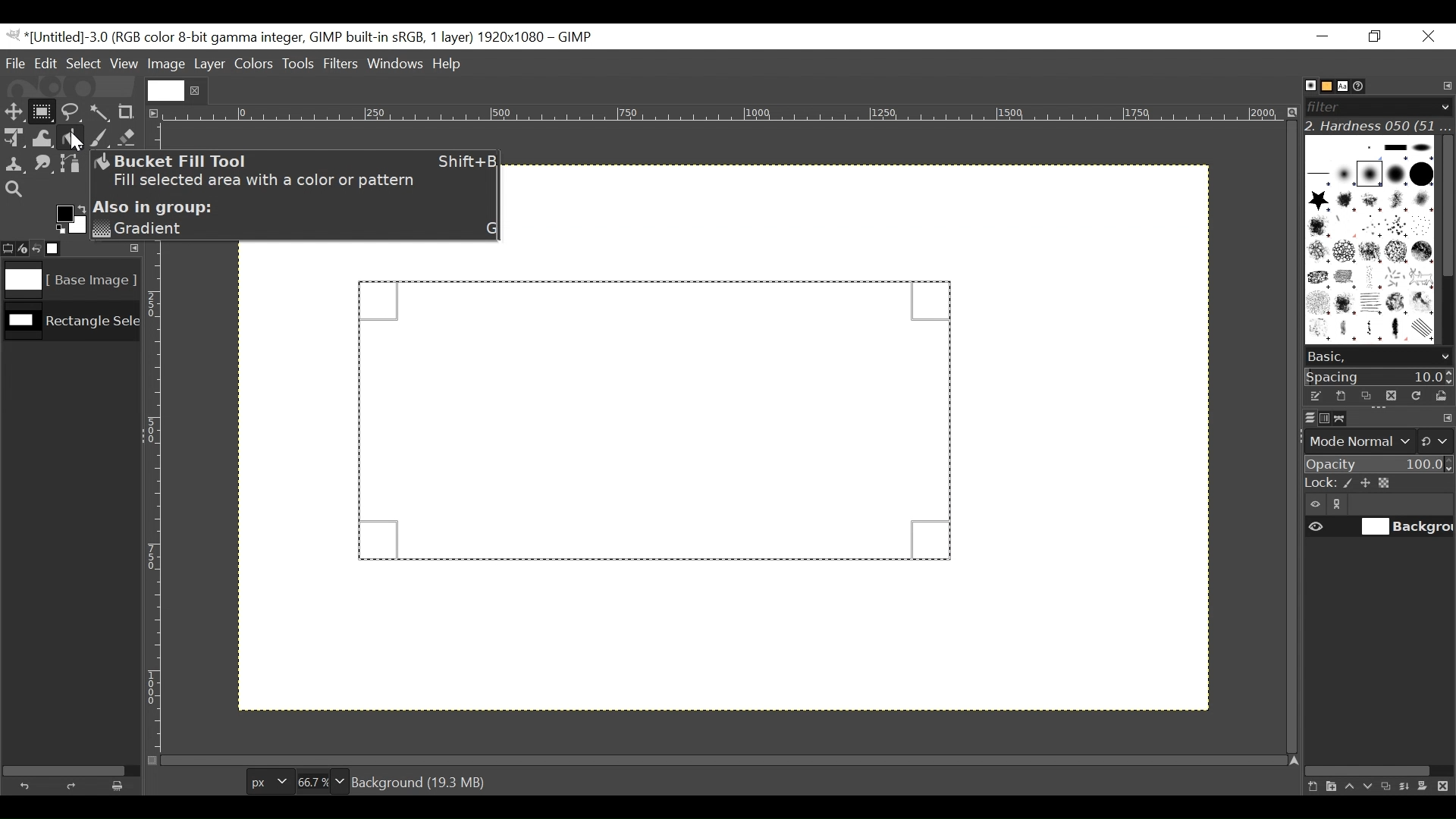  I want to click on cursor, so click(43, 122).